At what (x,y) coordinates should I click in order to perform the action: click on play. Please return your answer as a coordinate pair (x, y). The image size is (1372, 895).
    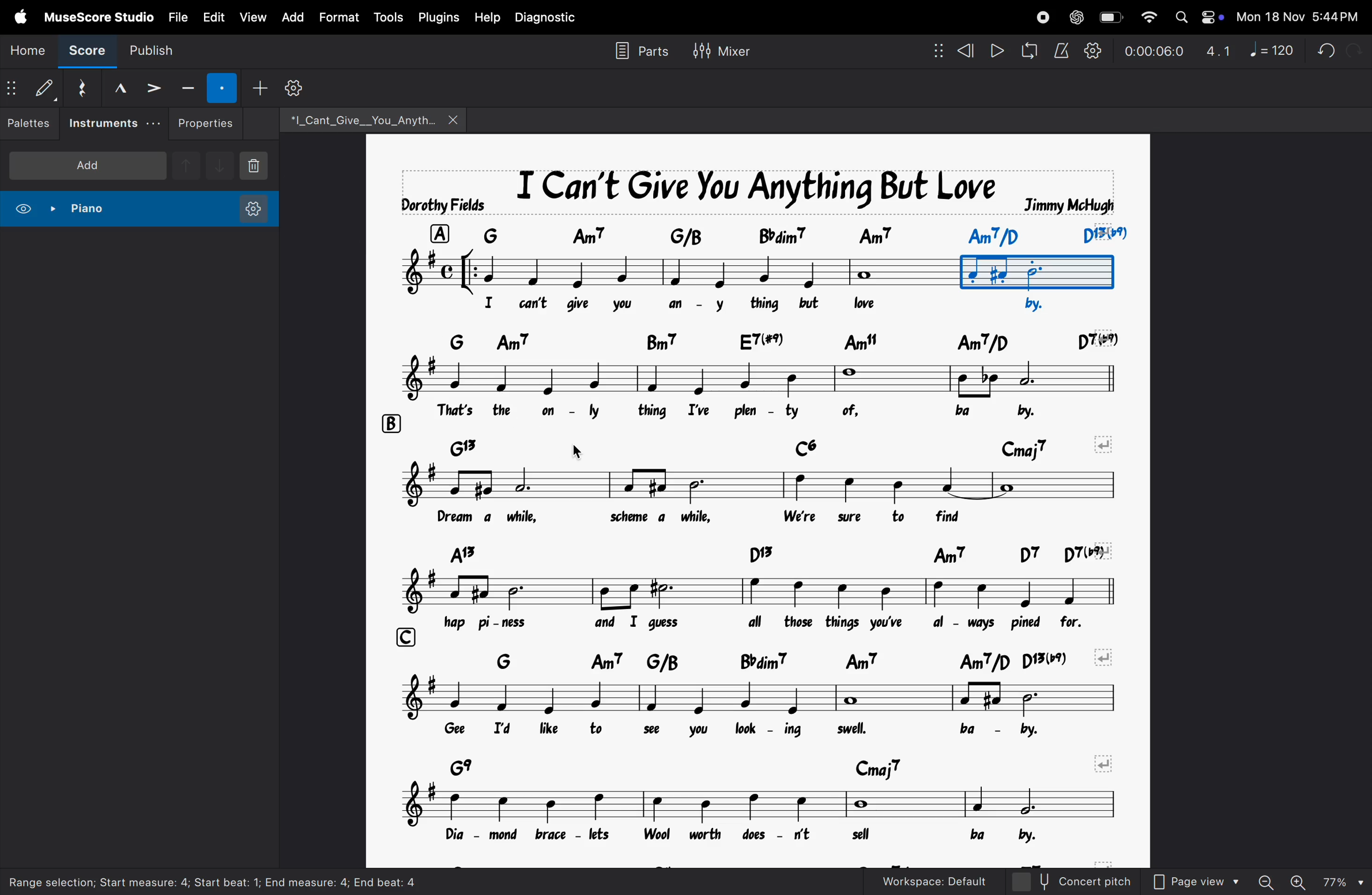
    Looking at the image, I should click on (997, 51).